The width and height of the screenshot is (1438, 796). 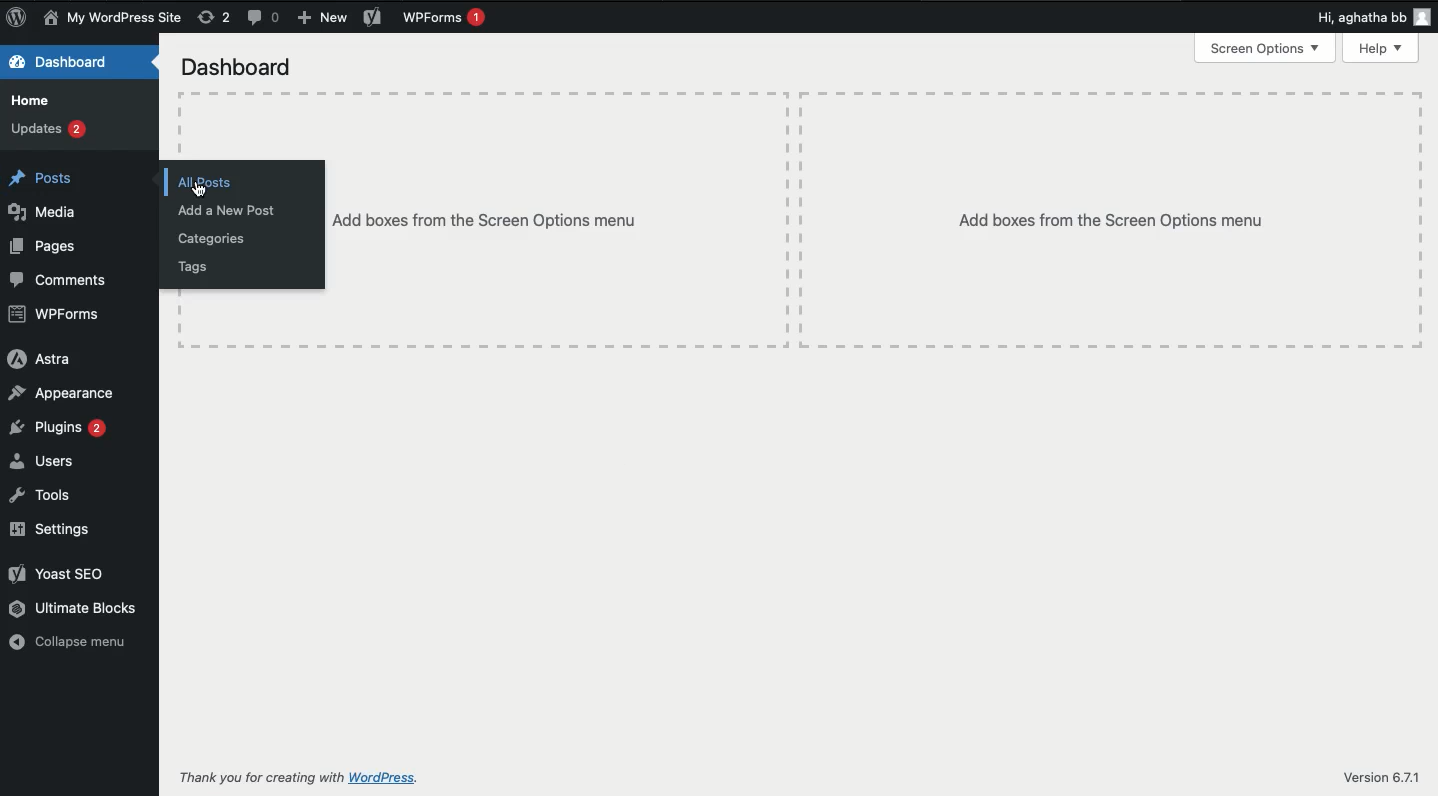 I want to click on All posts, so click(x=208, y=184).